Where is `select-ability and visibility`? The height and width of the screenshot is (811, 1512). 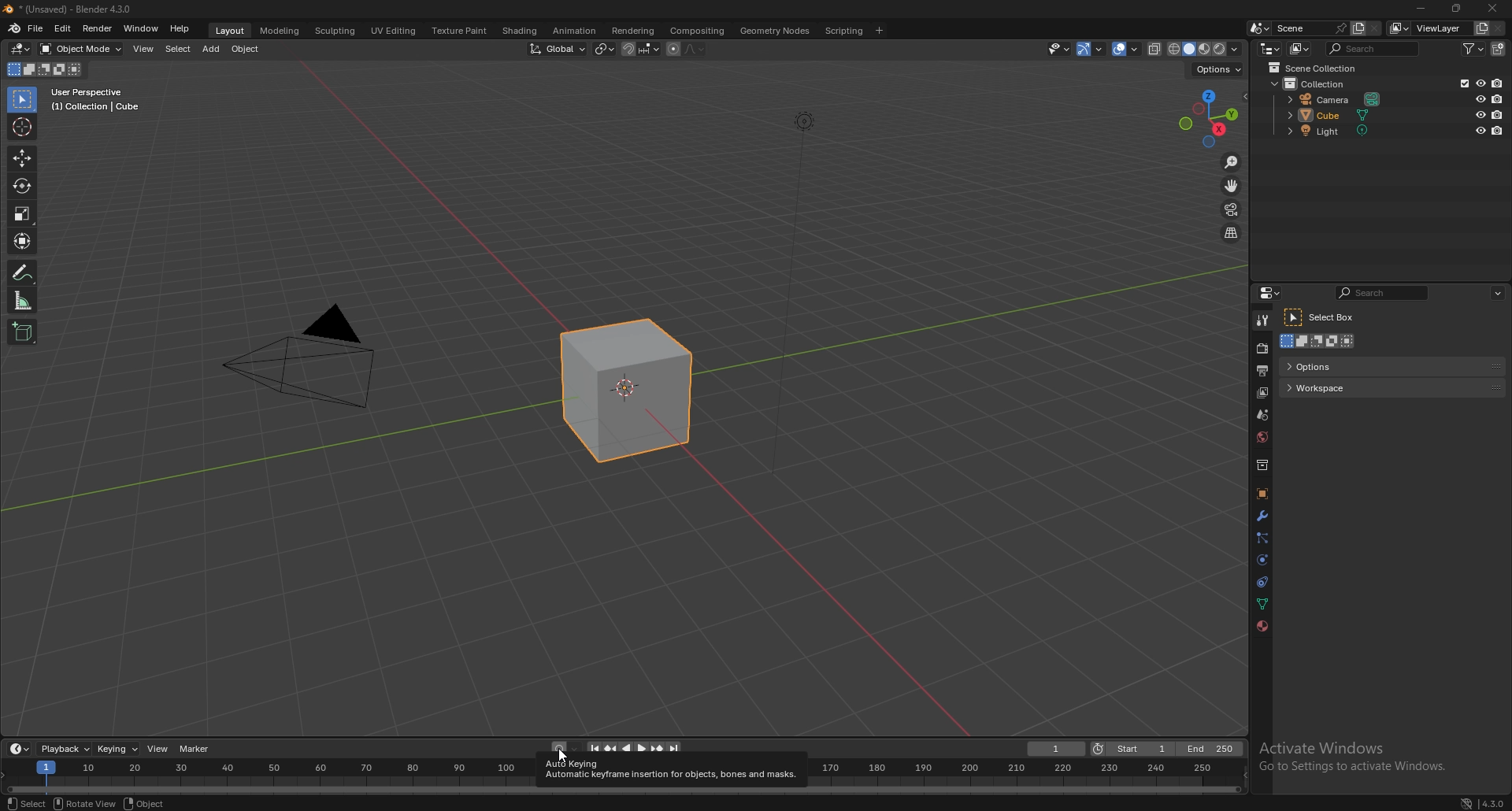 select-ability and visibility is located at coordinates (1058, 48).